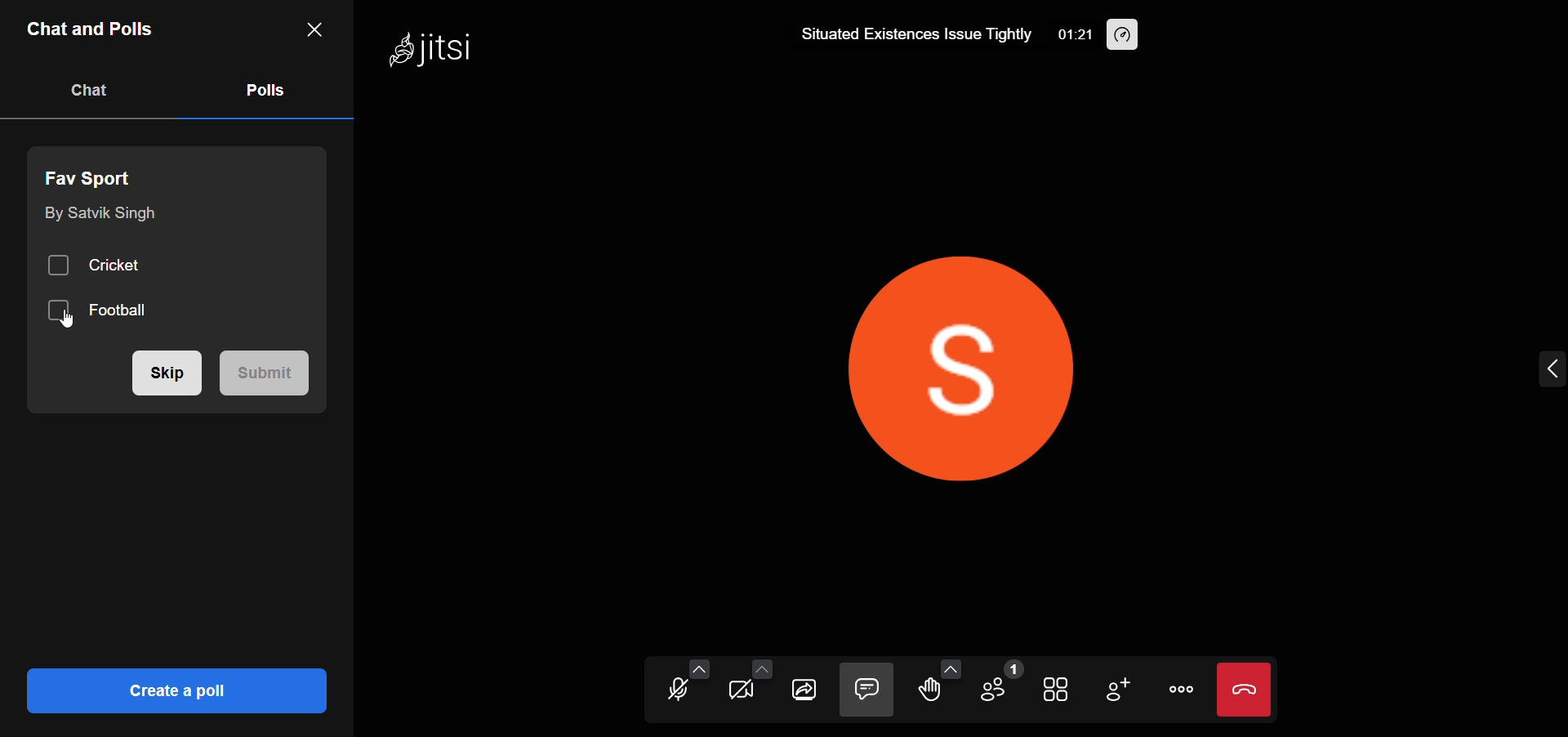 Image resolution: width=1568 pixels, height=737 pixels. What do you see at coordinates (1181, 689) in the screenshot?
I see `more` at bounding box center [1181, 689].